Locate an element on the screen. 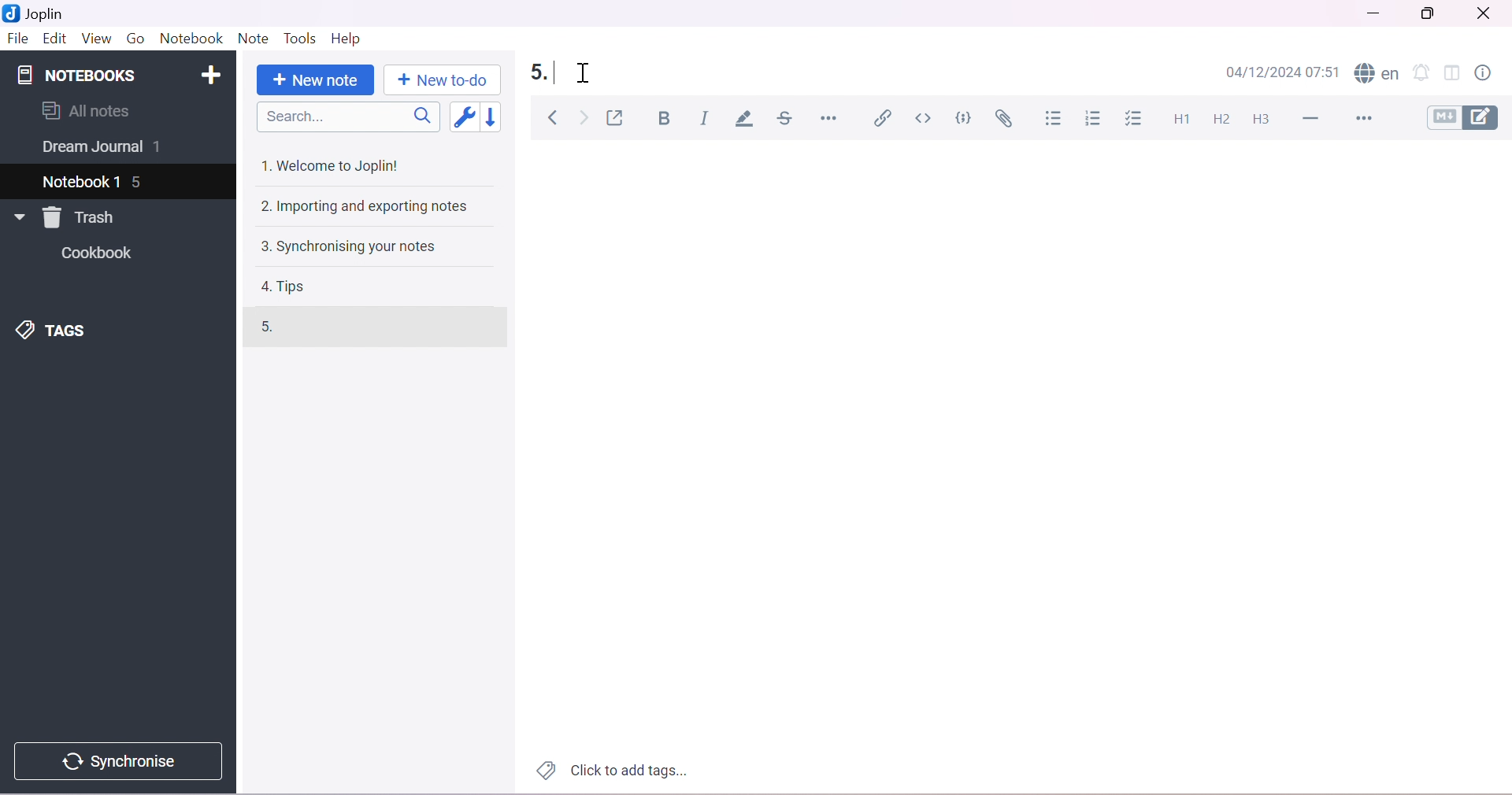  Attach file is located at coordinates (1007, 120).